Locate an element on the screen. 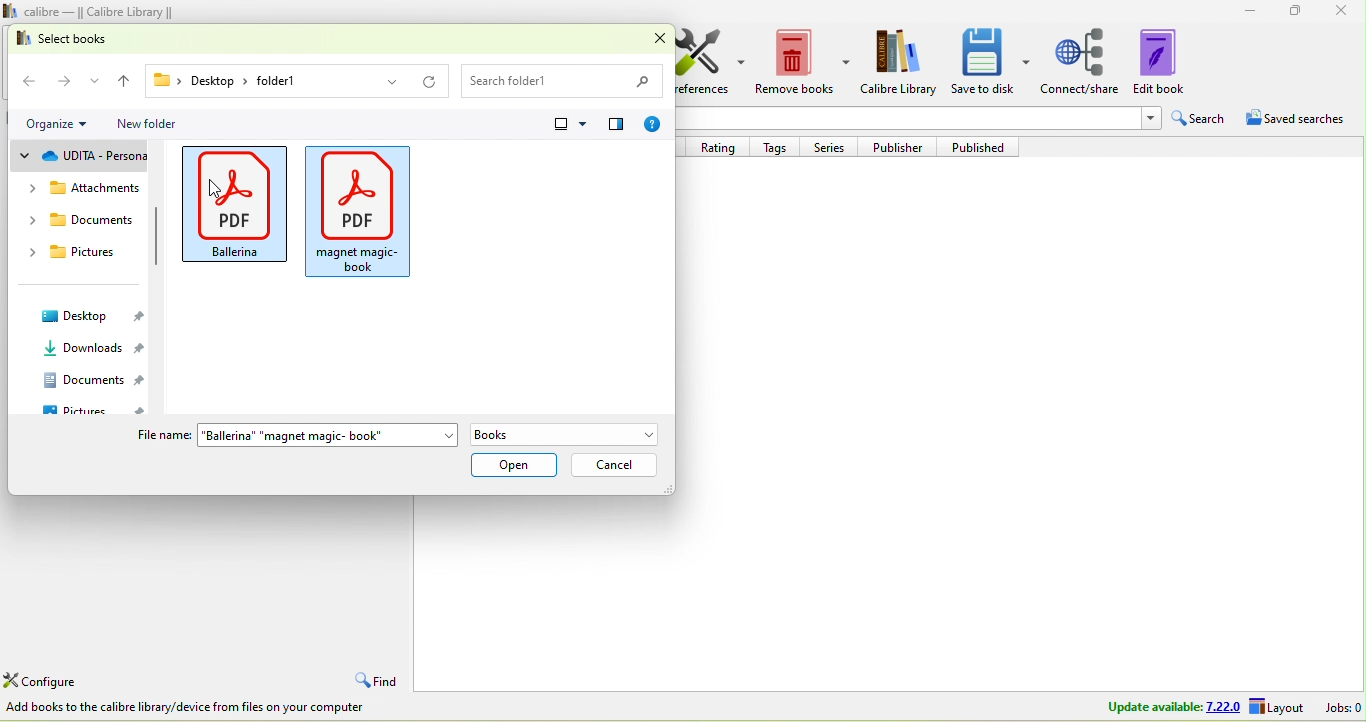 Image resolution: width=1366 pixels, height=722 pixels. save to disk is located at coordinates (992, 63).